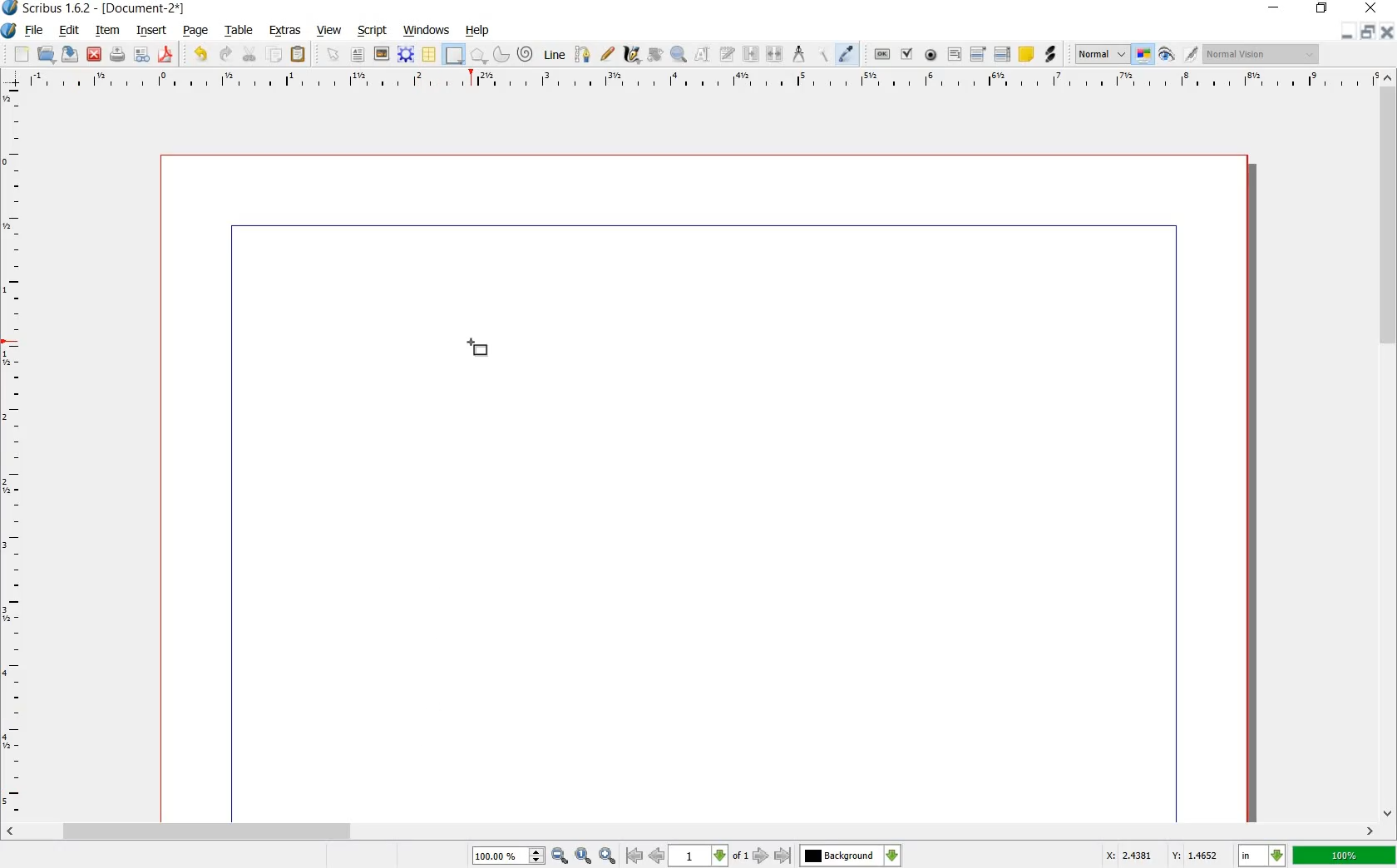  I want to click on RULER, so click(14, 452).